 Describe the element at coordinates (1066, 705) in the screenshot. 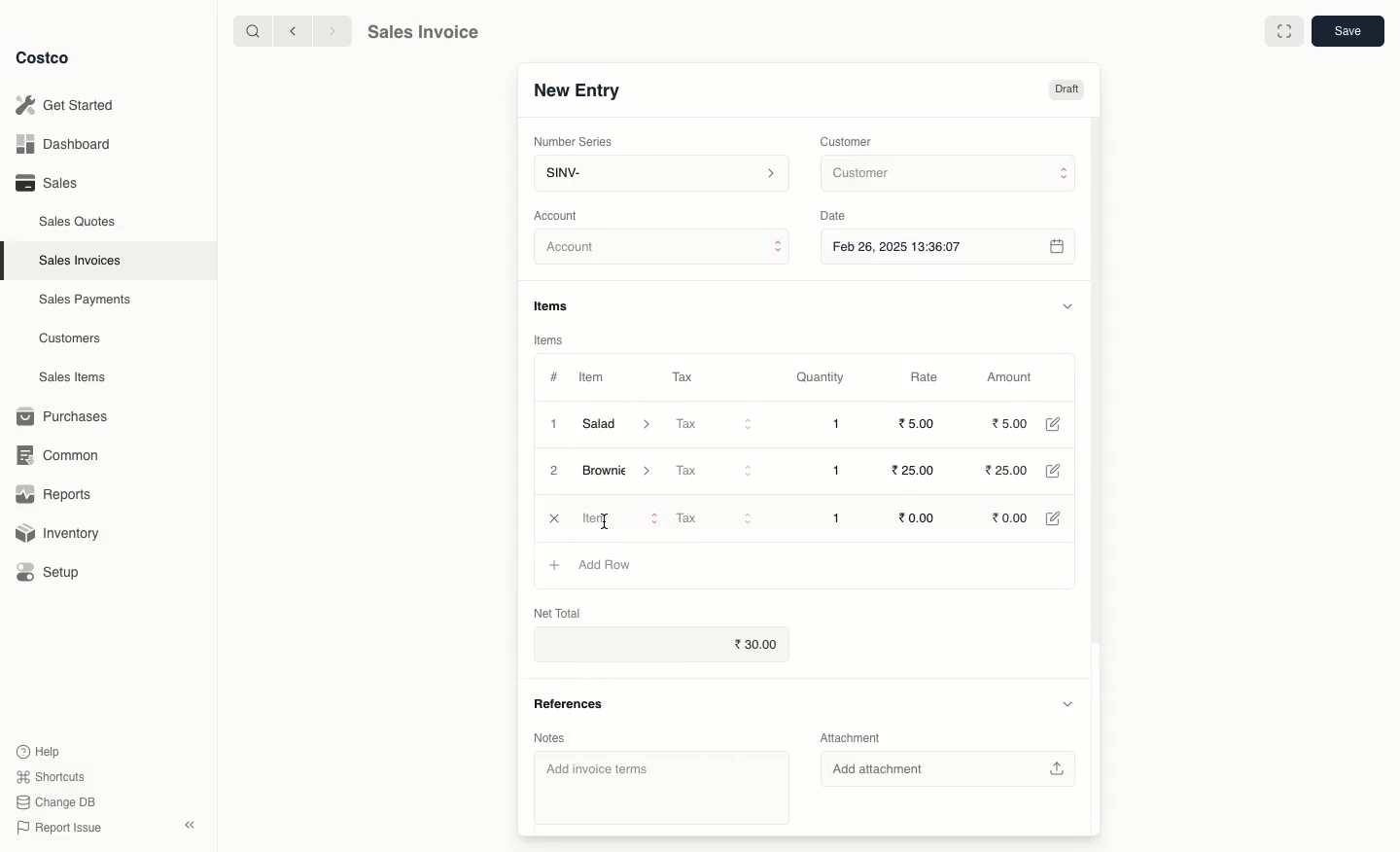

I see `Hide button` at that location.